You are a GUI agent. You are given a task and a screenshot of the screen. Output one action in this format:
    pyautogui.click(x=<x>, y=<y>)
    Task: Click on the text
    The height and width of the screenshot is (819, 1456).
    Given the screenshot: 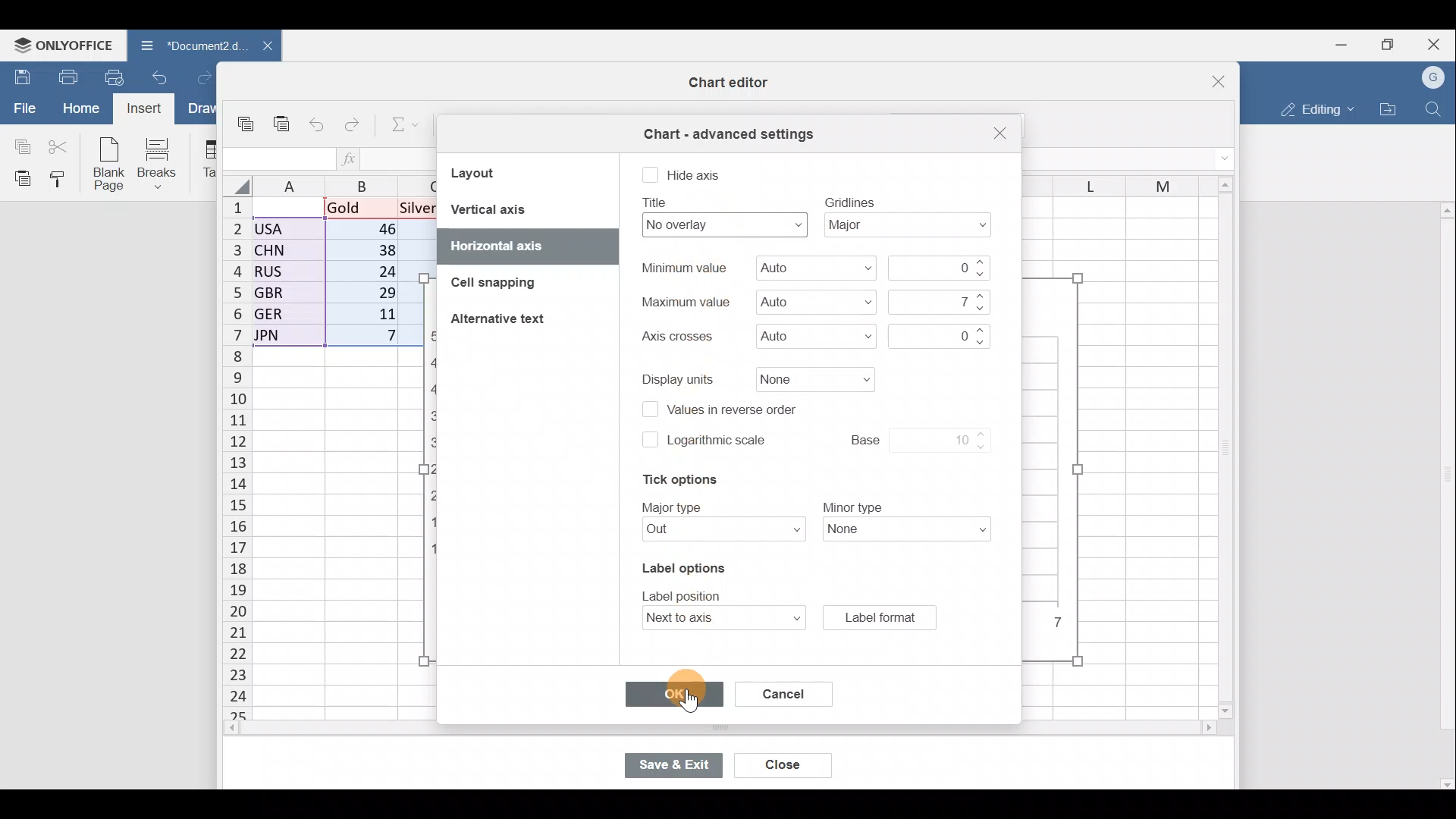 What is the action you would take?
    pyautogui.click(x=684, y=301)
    